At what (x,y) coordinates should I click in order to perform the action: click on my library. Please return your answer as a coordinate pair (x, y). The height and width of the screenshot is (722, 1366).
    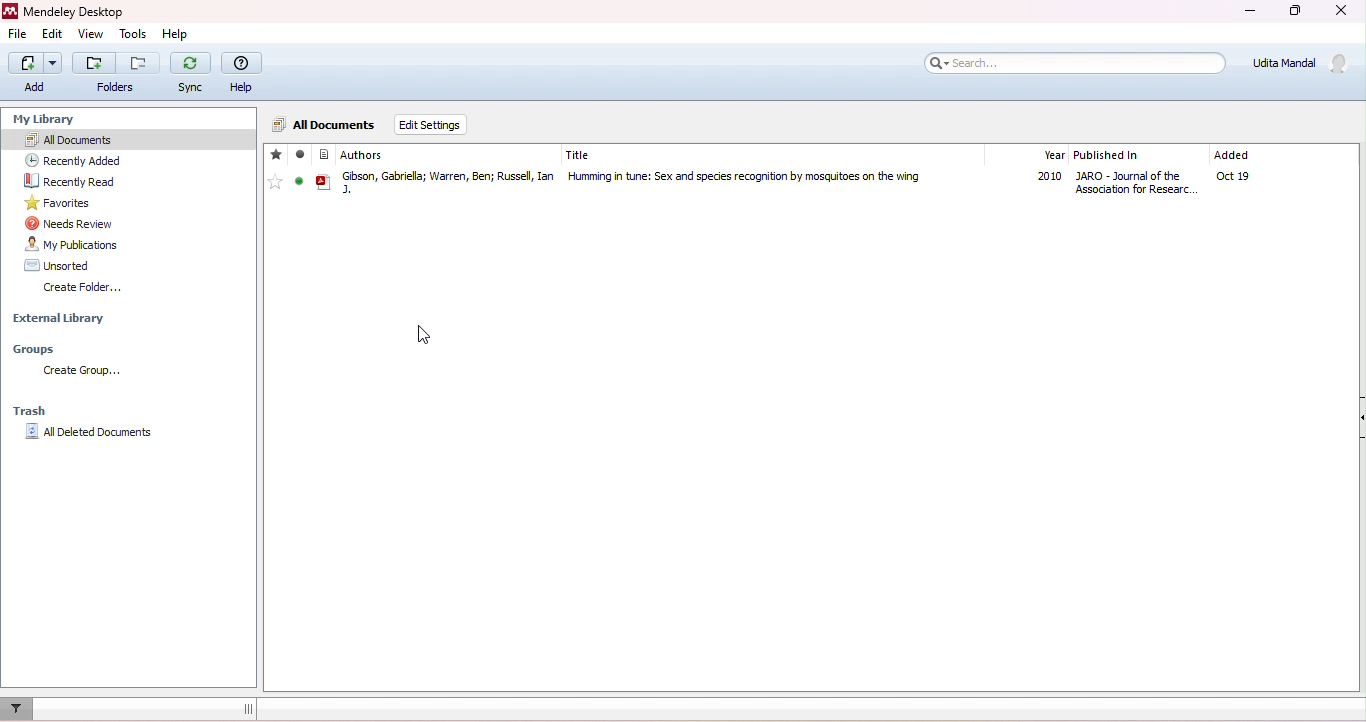
    Looking at the image, I should click on (45, 119).